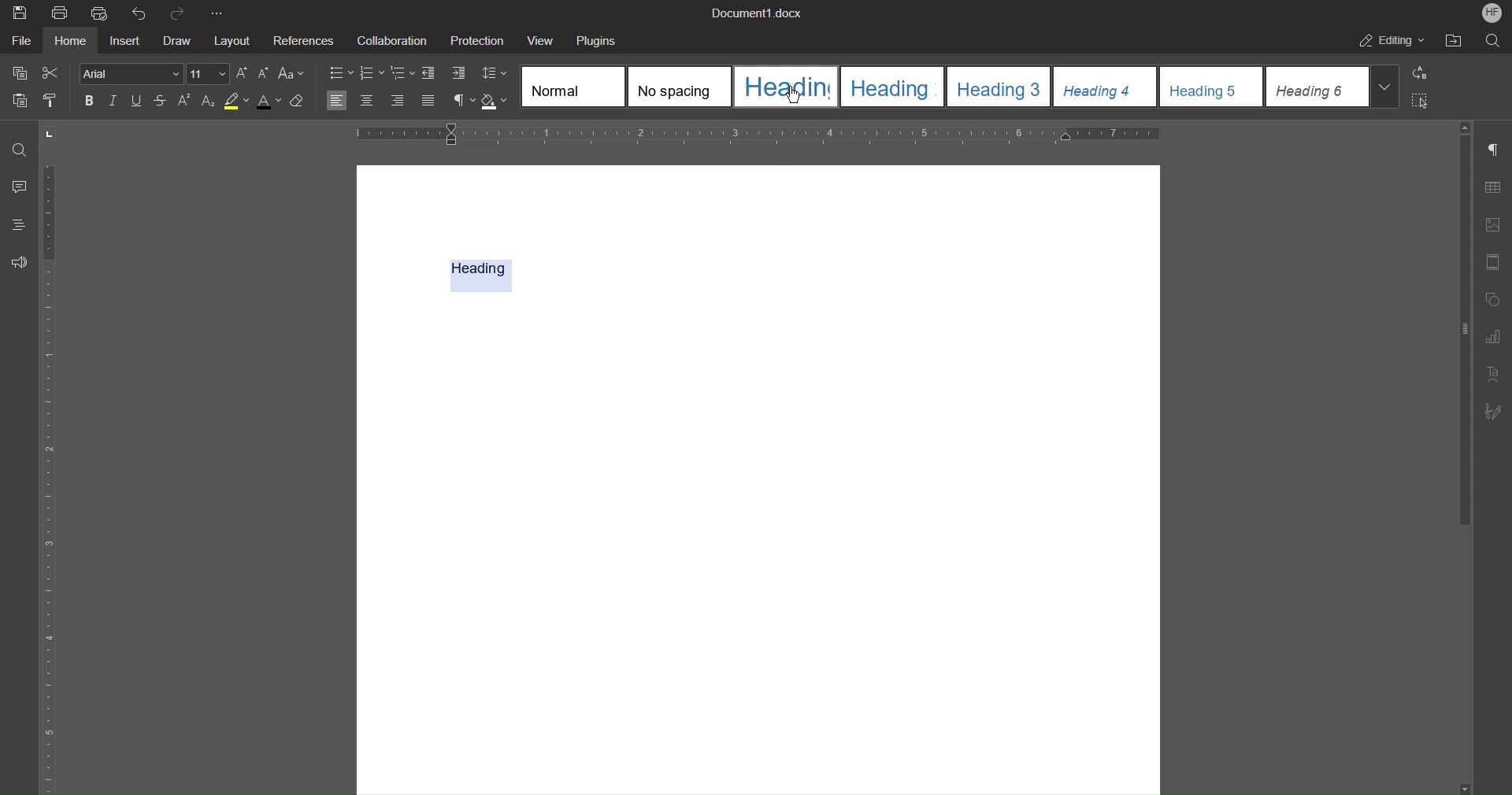 The width and height of the screenshot is (1512, 795). Describe the element at coordinates (177, 40) in the screenshot. I see `Draw` at that location.